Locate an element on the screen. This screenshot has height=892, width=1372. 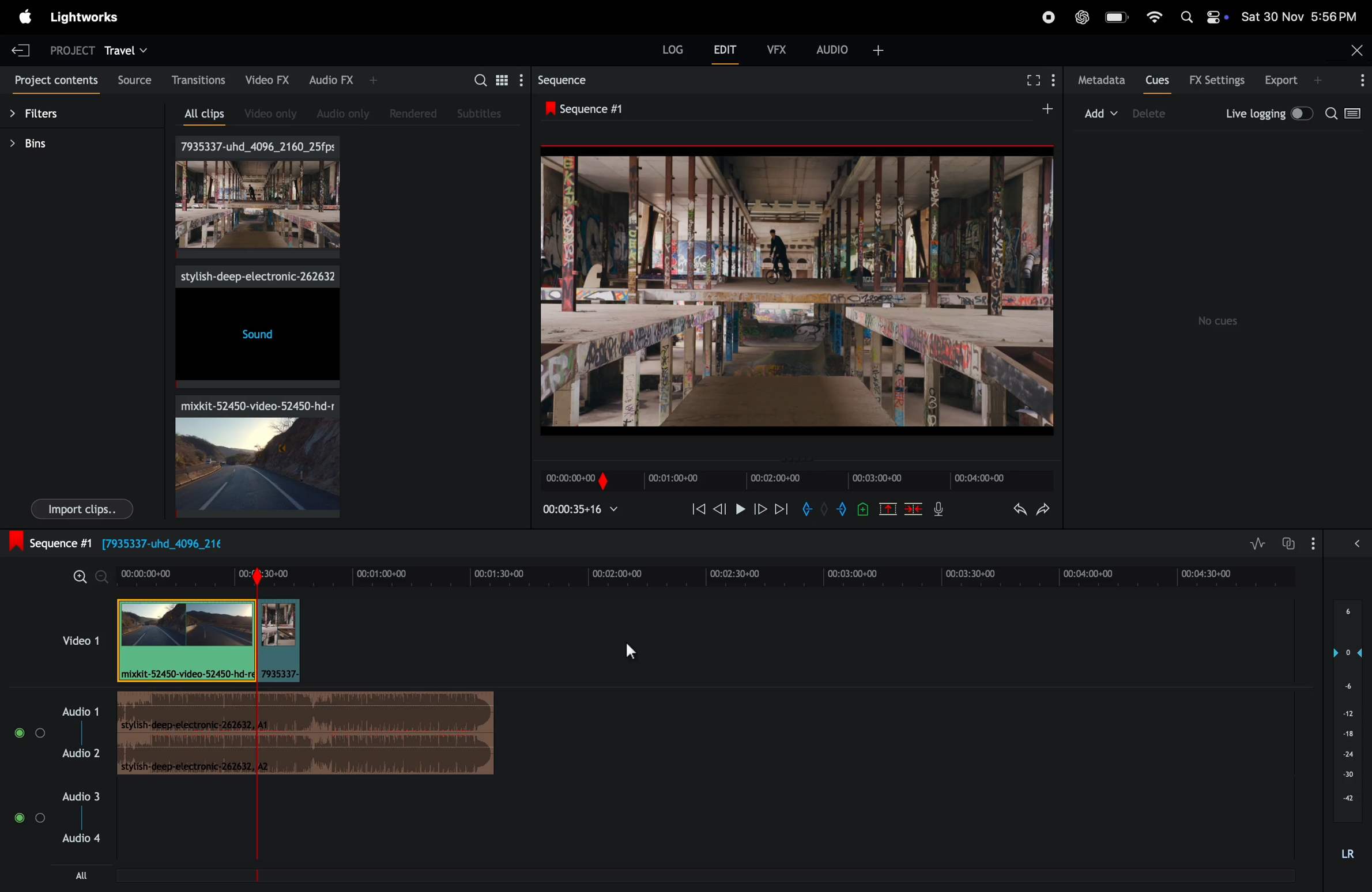
metadata is located at coordinates (1100, 80).